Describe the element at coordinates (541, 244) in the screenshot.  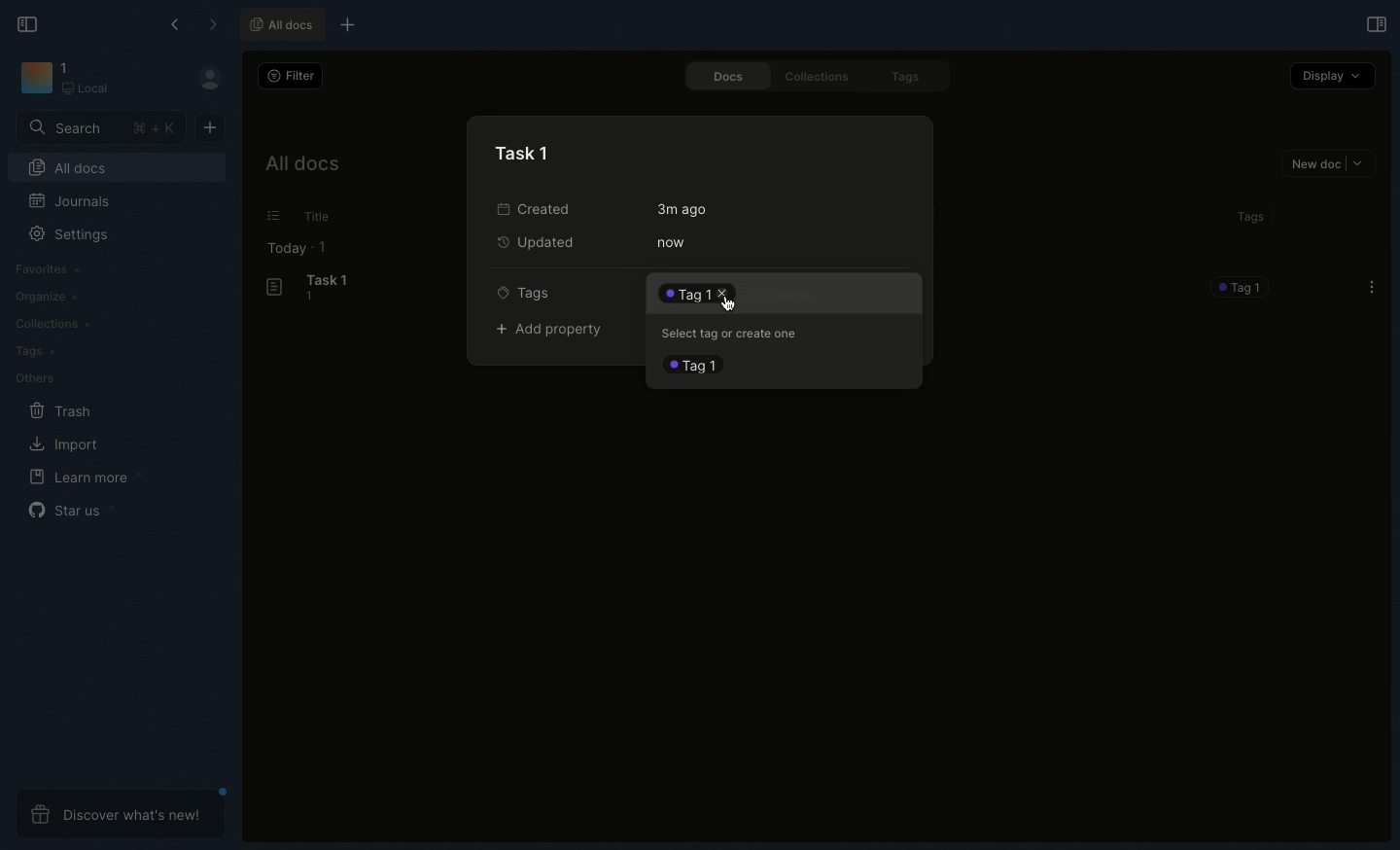
I see `Updated` at that location.